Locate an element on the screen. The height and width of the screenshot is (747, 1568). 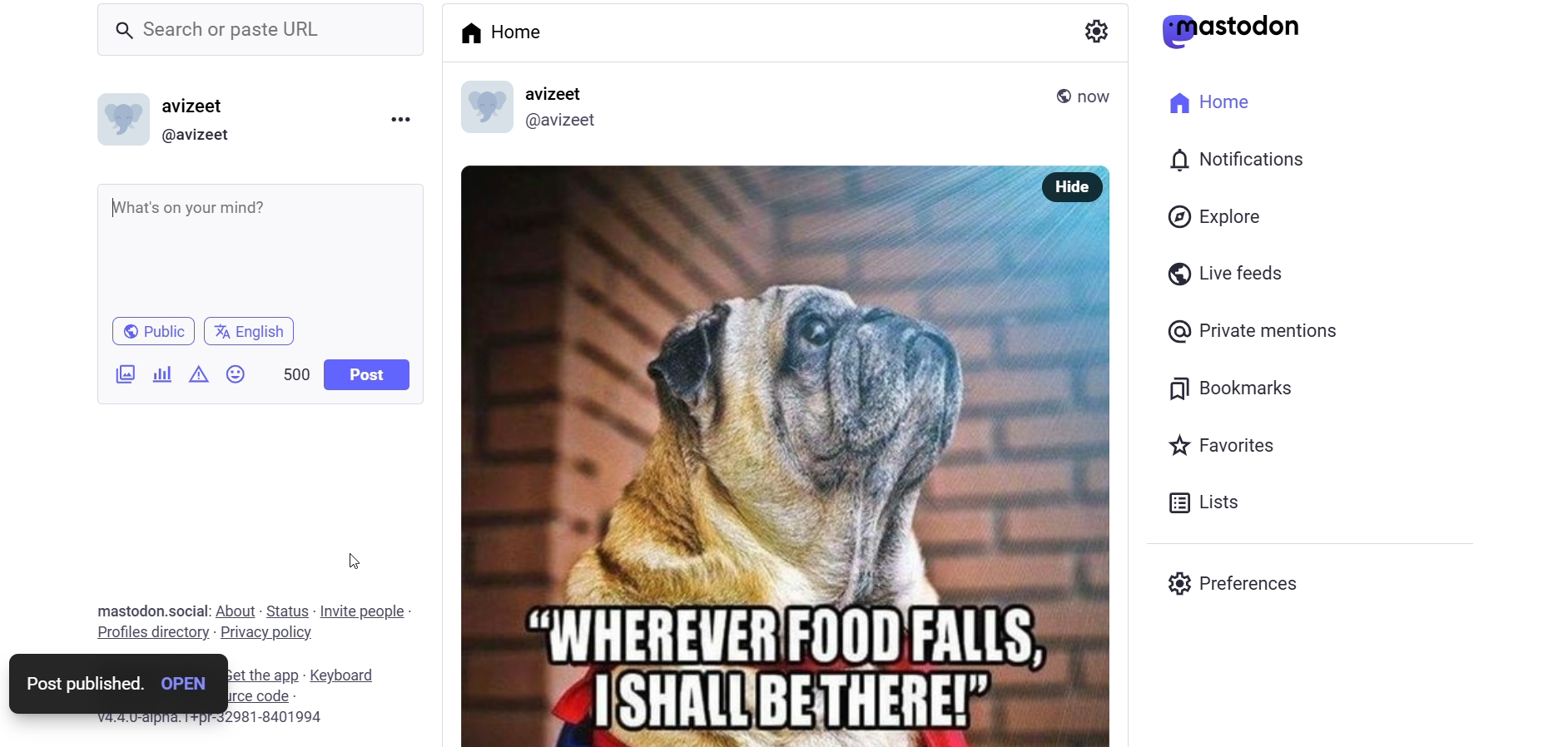
id is located at coordinates (568, 123).